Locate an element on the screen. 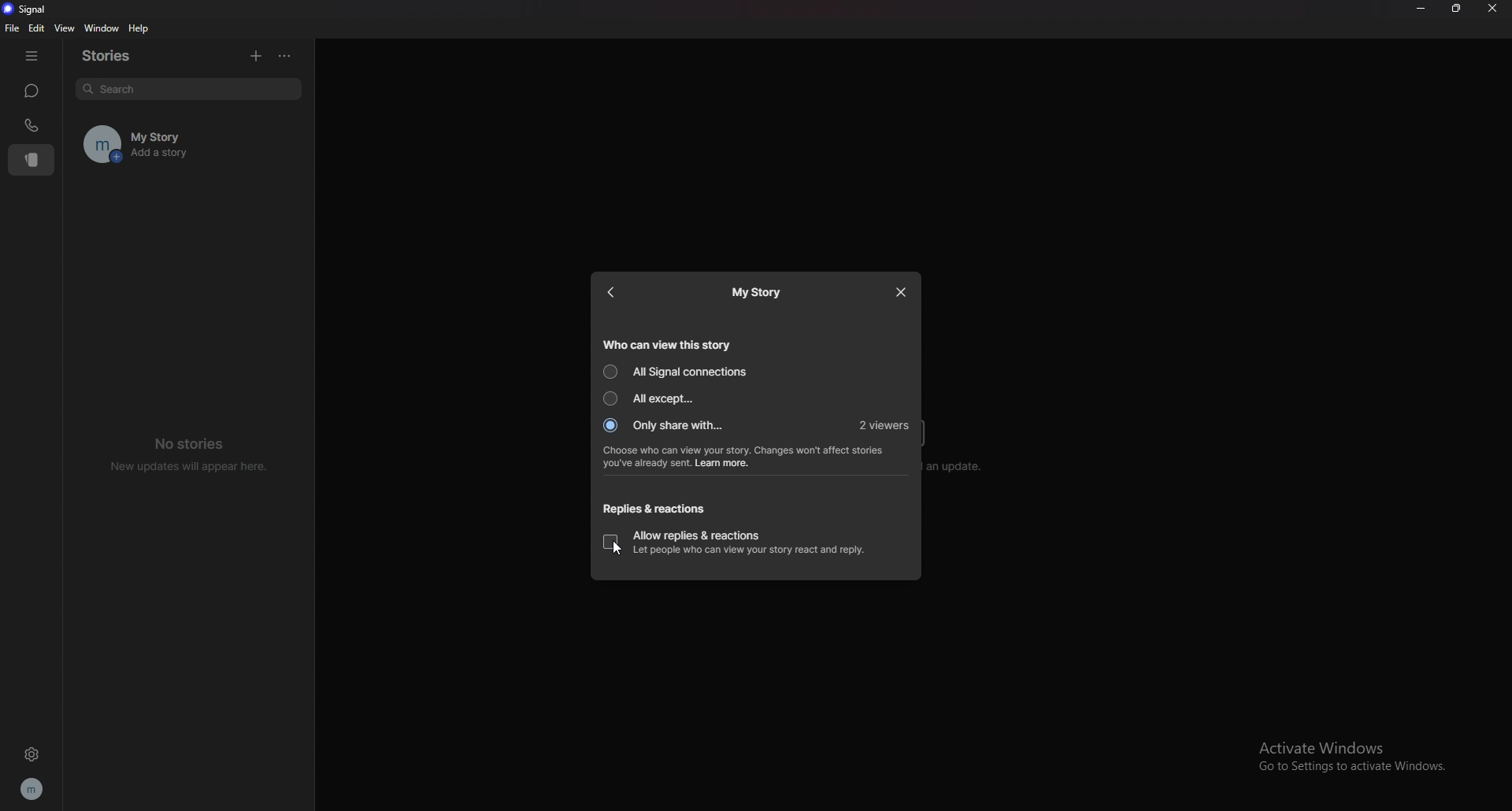  view is located at coordinates (63, 28).